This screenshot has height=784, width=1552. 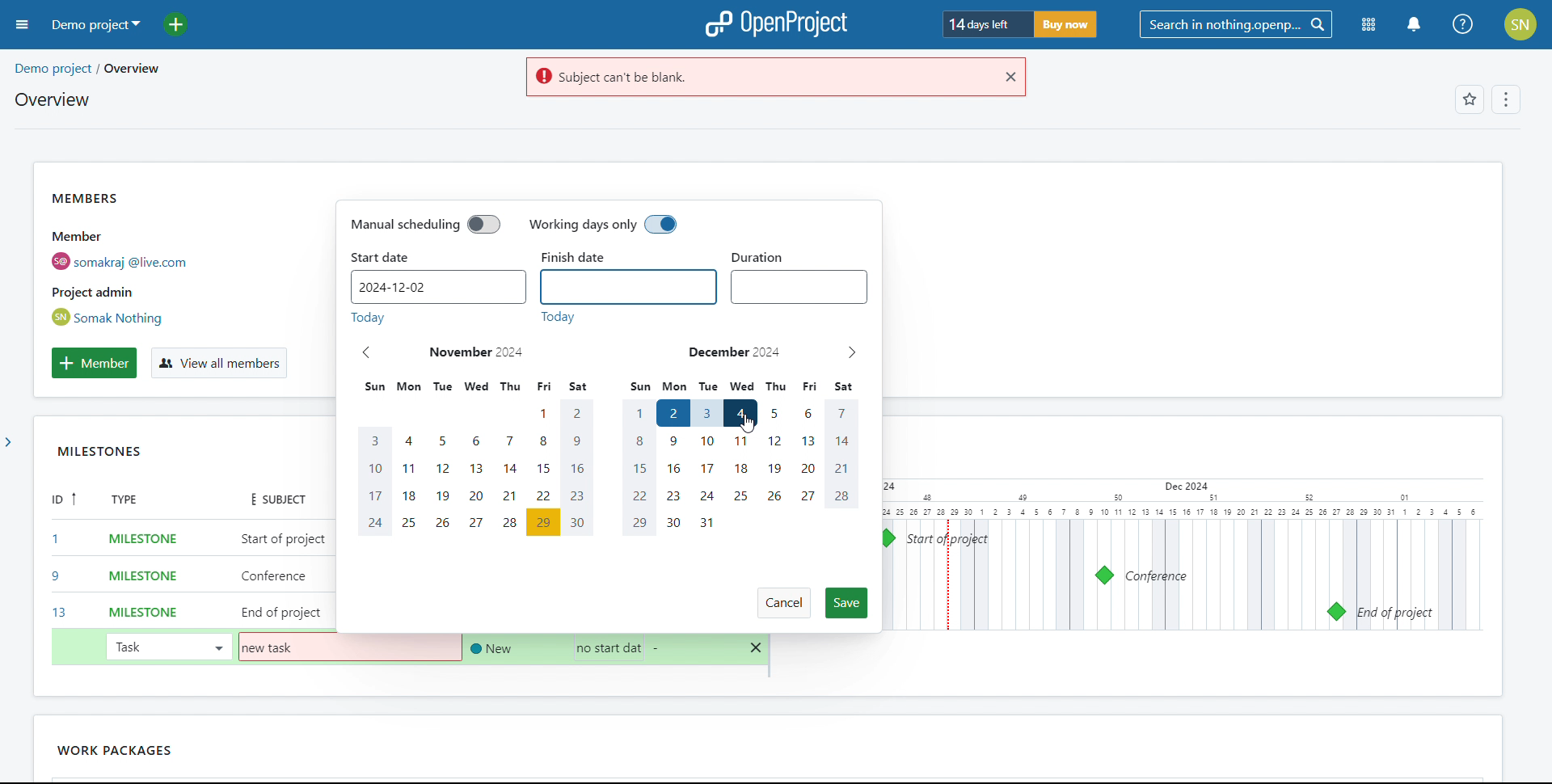 I want to click on demo project/overview, so click(x=86, y=69).